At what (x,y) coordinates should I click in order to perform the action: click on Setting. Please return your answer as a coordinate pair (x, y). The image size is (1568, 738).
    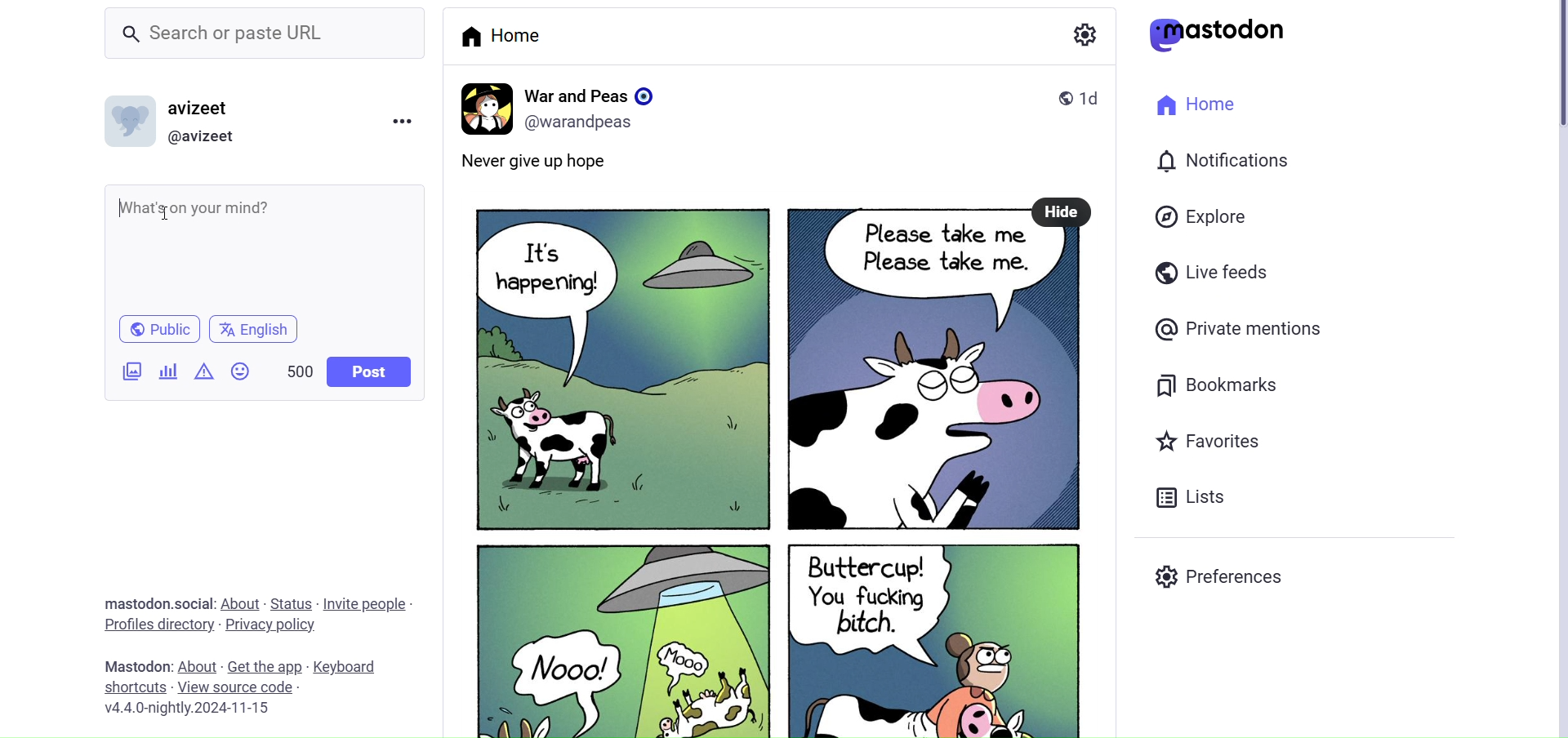
    Looking at the image, I should click on (1082, 35).